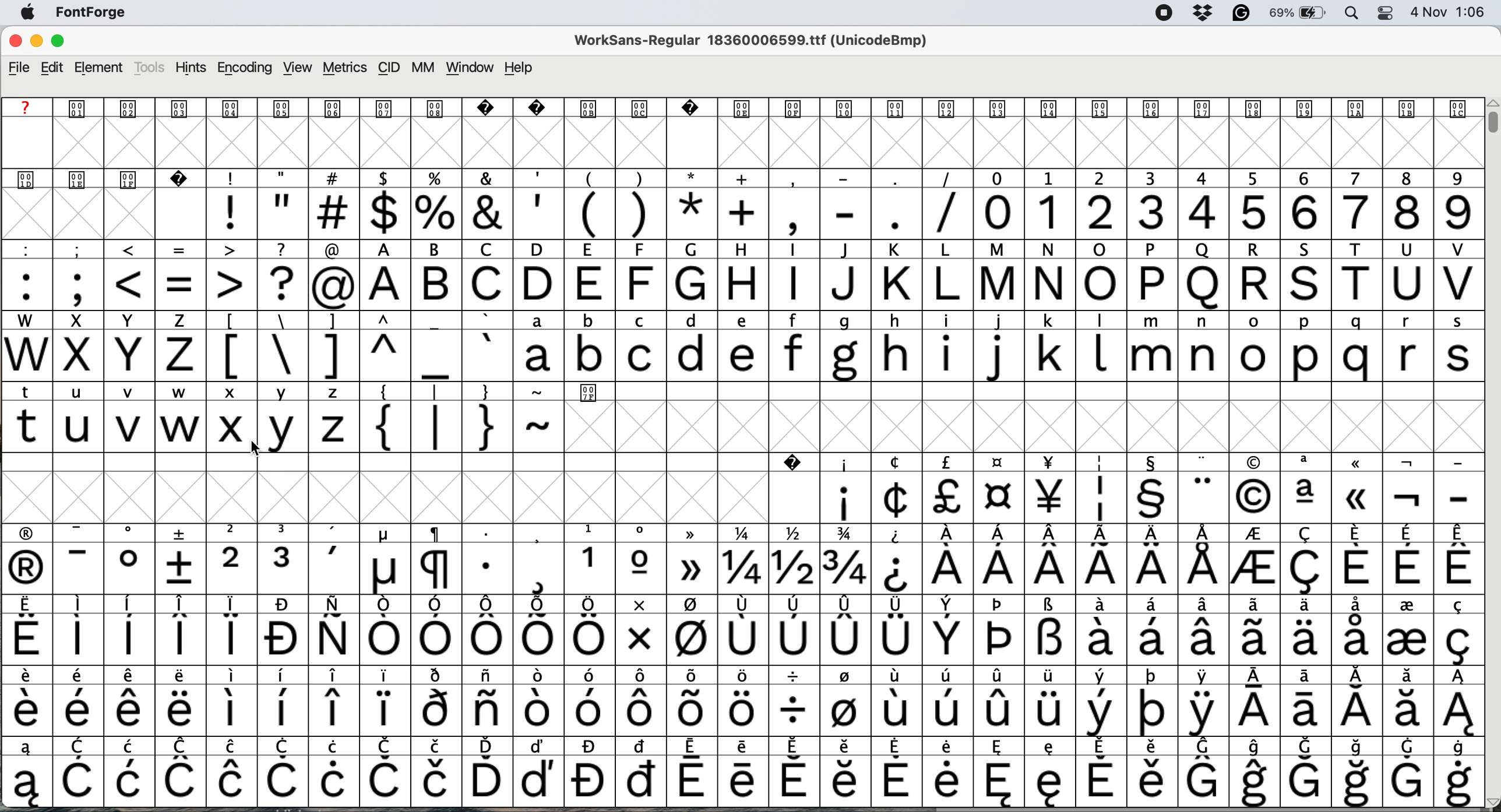 This screenshot has width=1501, height=812. What do you see at coordinates (1121, 462) in the screenshot?
I see `special characters` at bounding box center [1121, 462].